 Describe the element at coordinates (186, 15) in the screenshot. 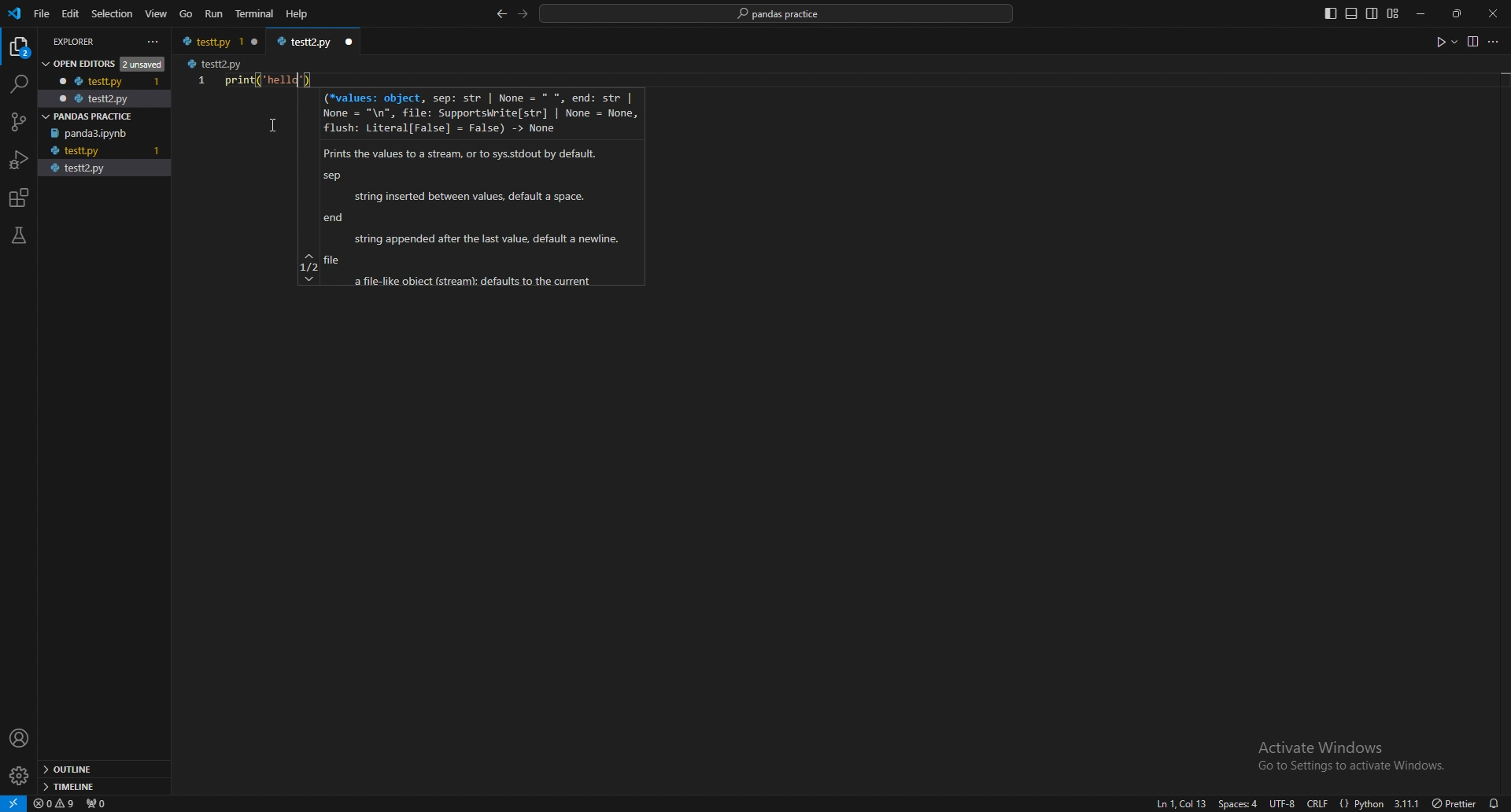

I see `go` at that location.